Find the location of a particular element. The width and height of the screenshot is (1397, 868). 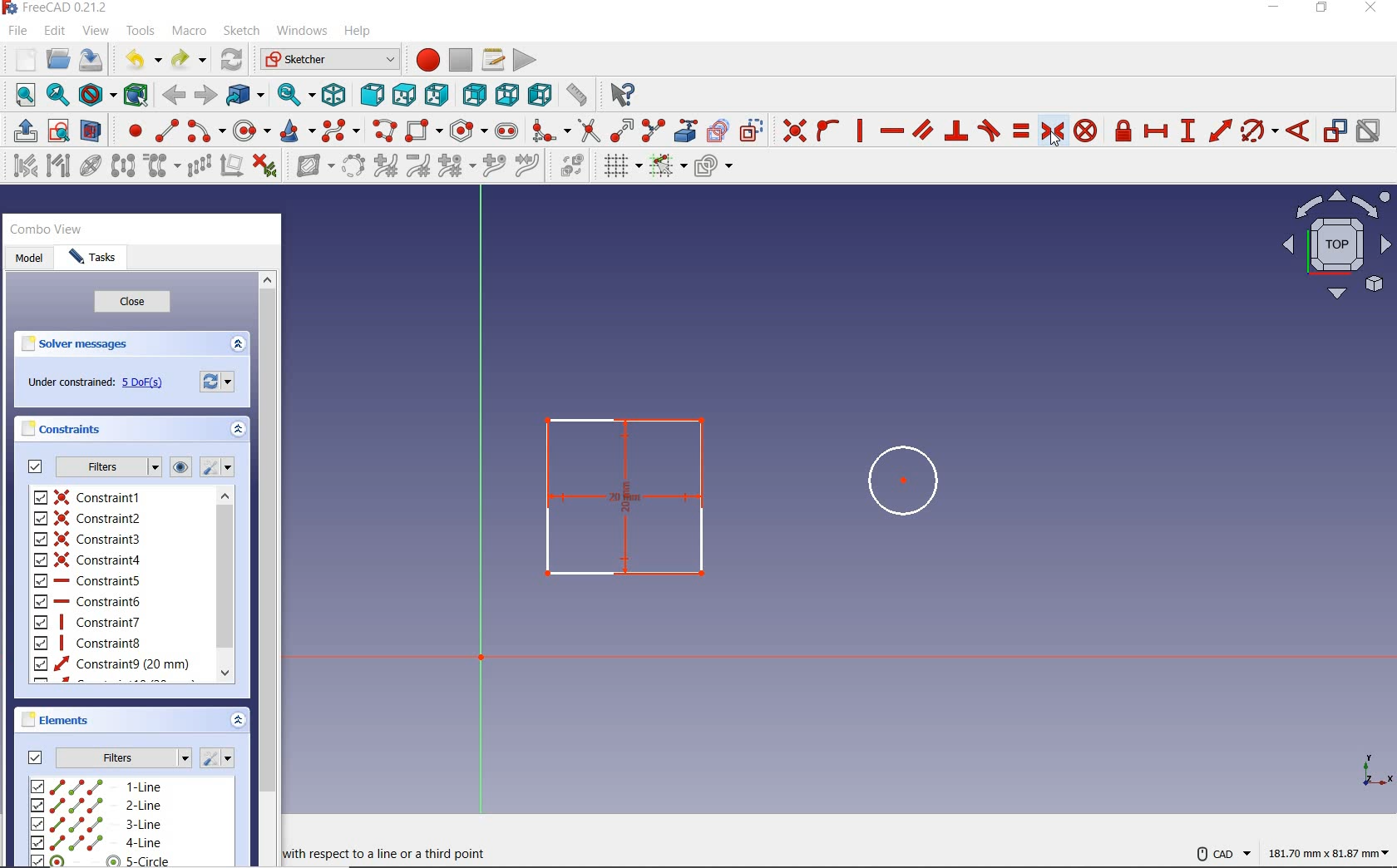

expand is located at coordinates (239, 431).